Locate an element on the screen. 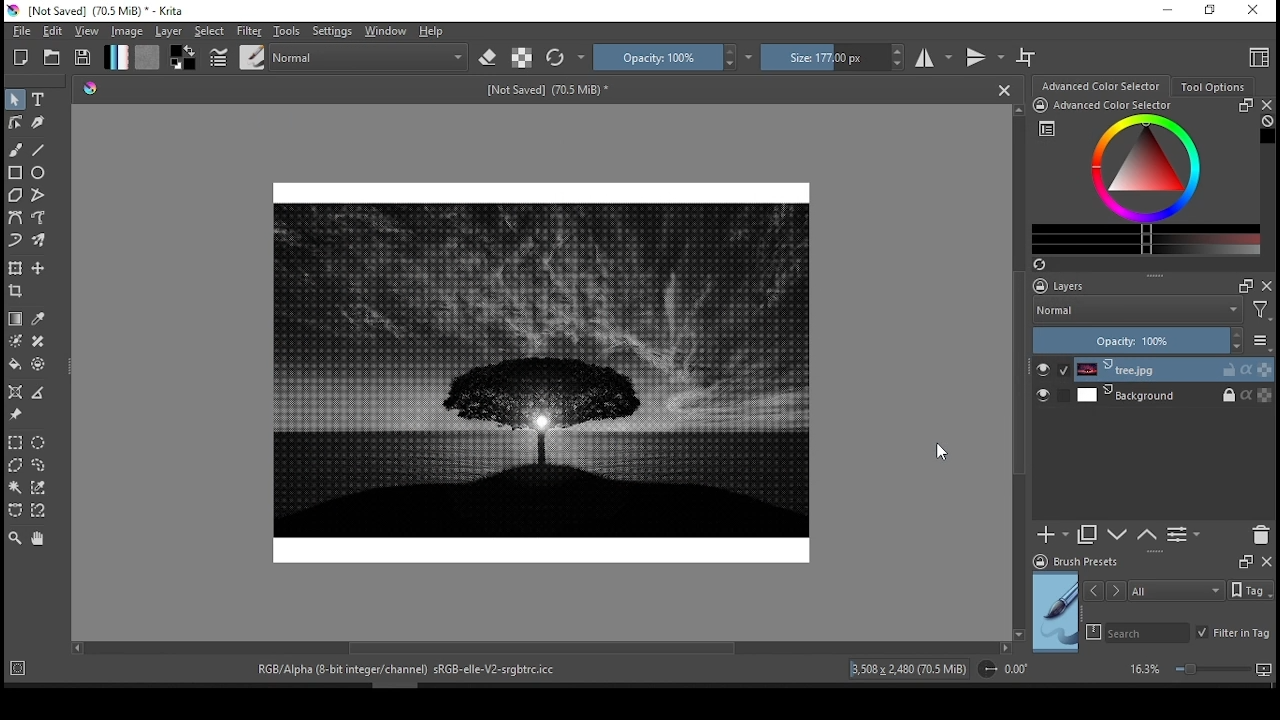  select is located at coordinates (212, 32).